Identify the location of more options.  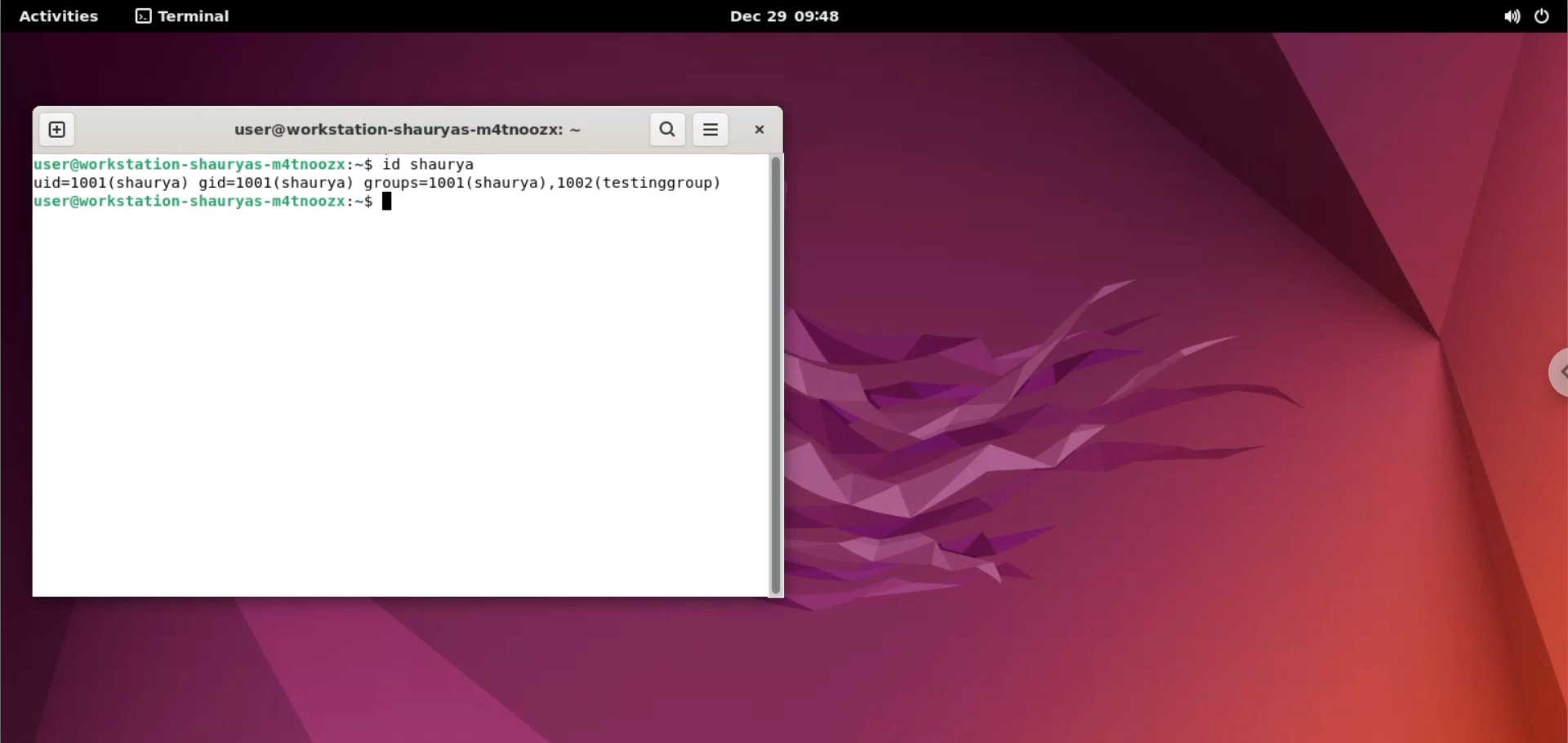
(712, 129).